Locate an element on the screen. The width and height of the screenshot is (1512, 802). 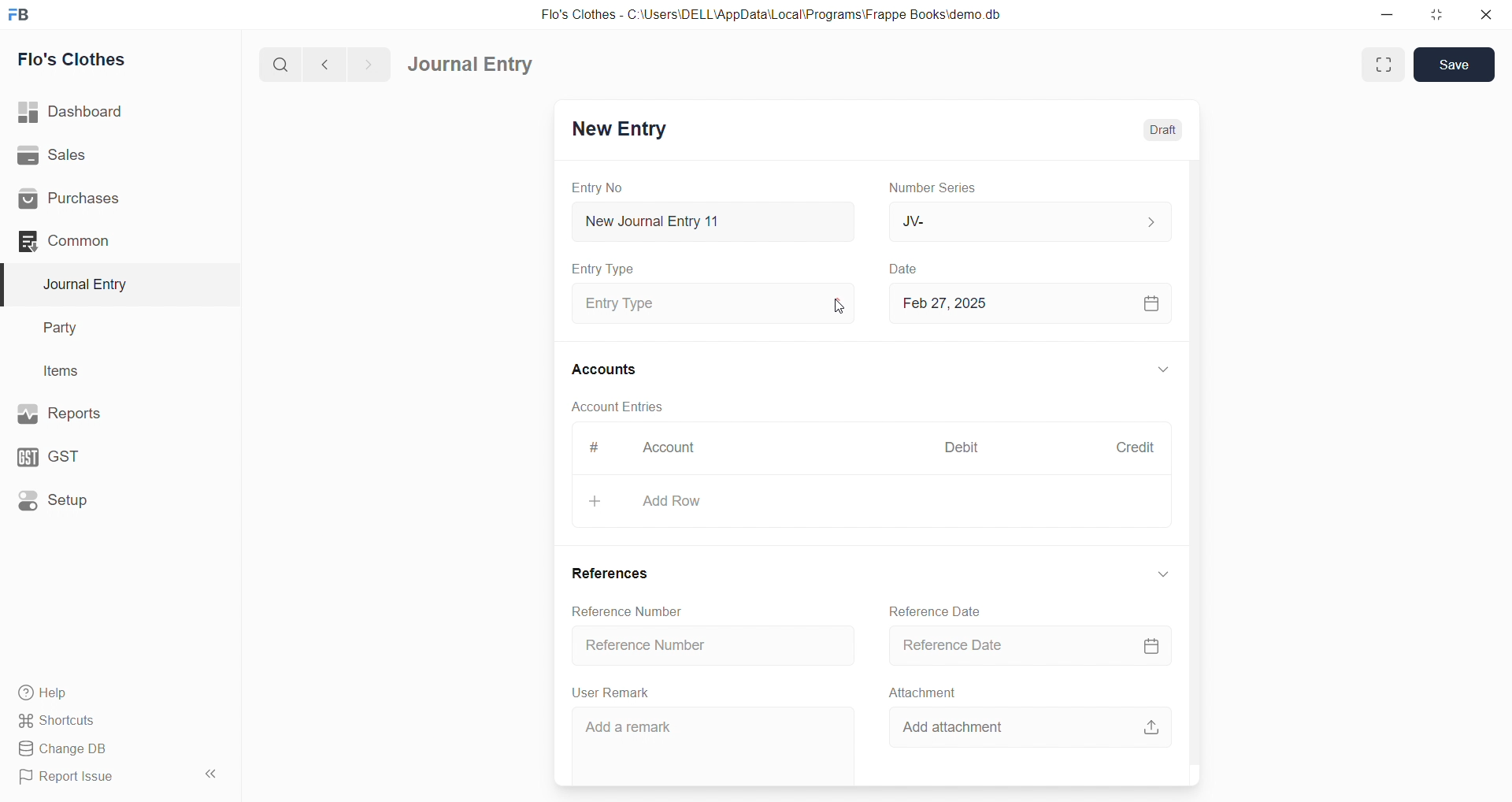
minimize is located at coordinates (1384, 13).